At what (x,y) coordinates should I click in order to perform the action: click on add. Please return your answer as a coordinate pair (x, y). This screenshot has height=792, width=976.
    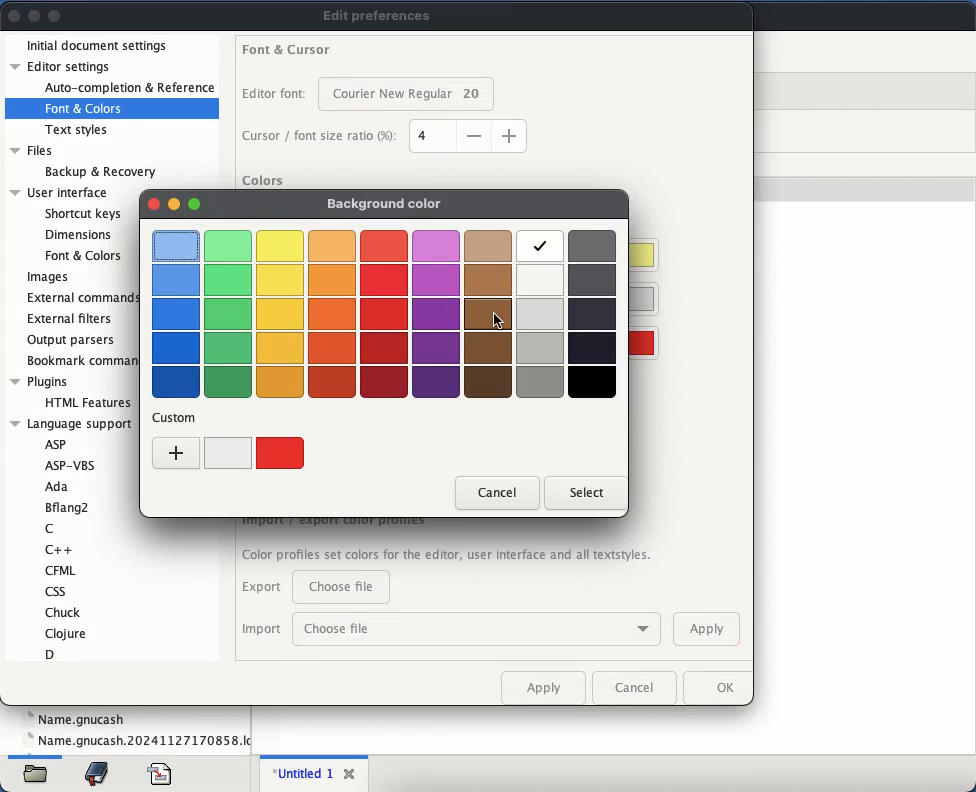
    Looking at the image, I should click on (177, 452).